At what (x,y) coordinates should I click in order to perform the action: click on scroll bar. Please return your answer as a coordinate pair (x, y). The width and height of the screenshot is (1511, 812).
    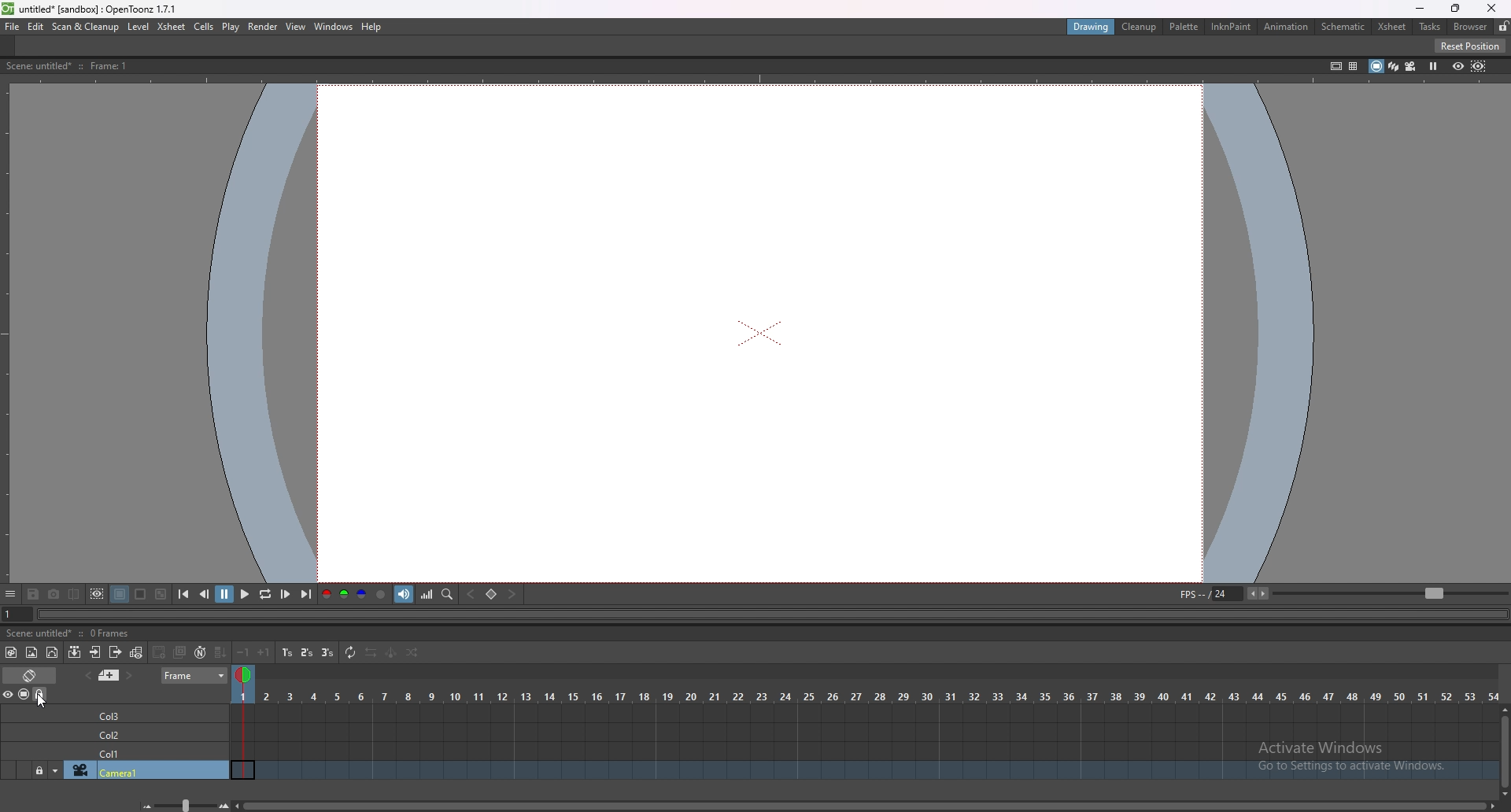
    Looking at the image, I should click on (868, 804).